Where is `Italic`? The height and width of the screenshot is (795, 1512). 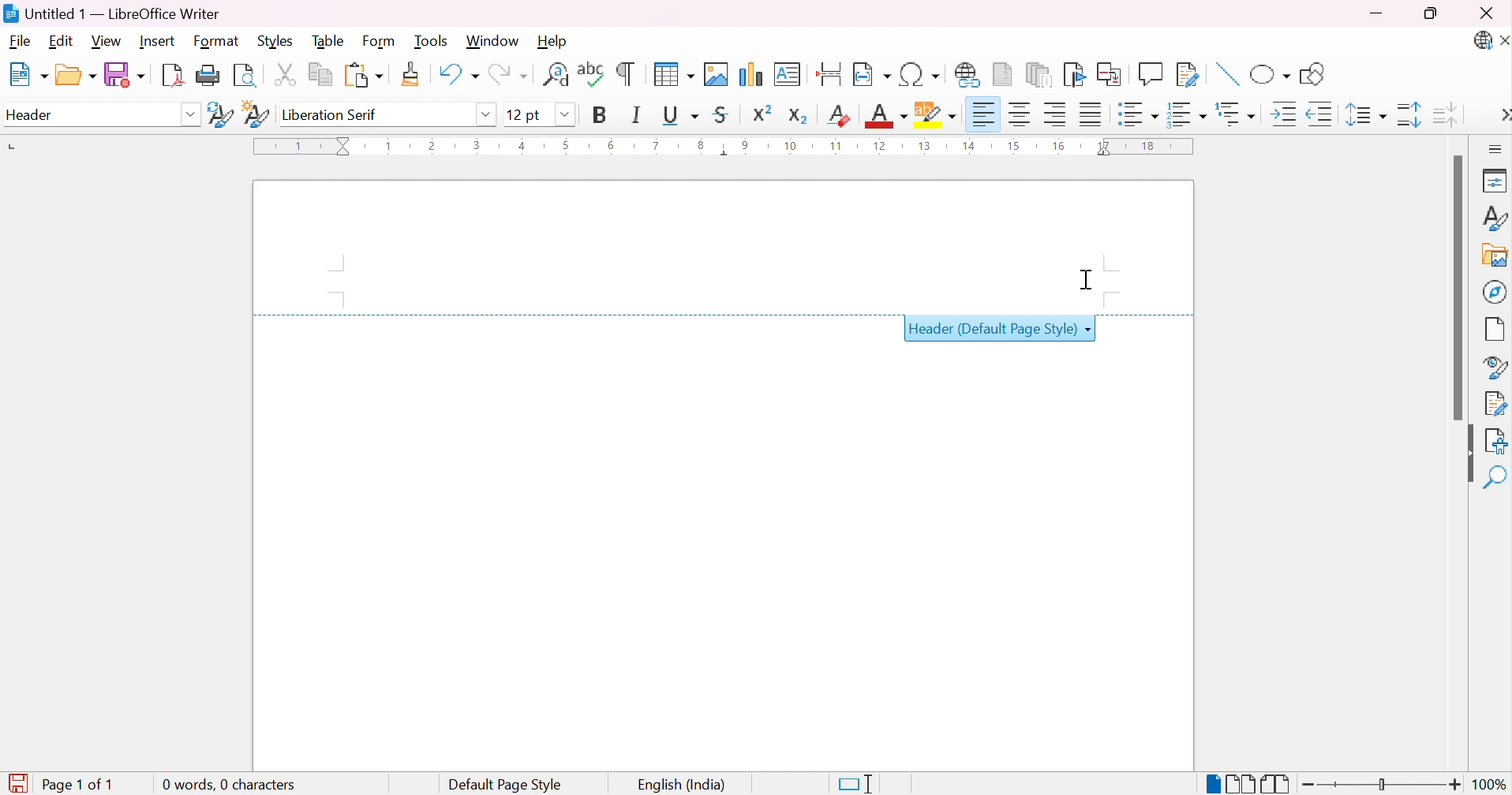 Italic is located at coordinates (635, 115).